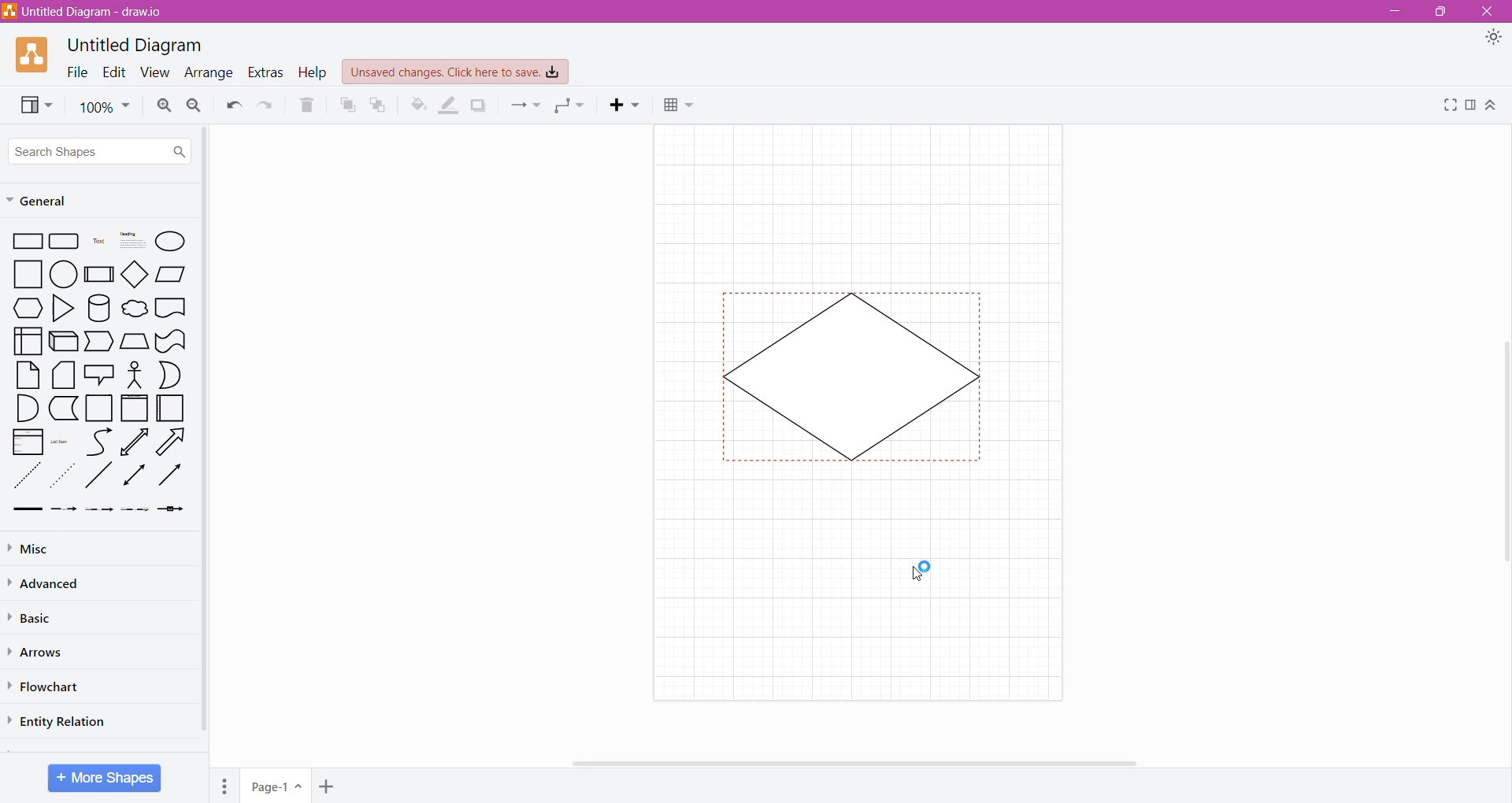 The height and width of the screenshot is (803, 1512). I want to click on Shapes, so click(100, 373).